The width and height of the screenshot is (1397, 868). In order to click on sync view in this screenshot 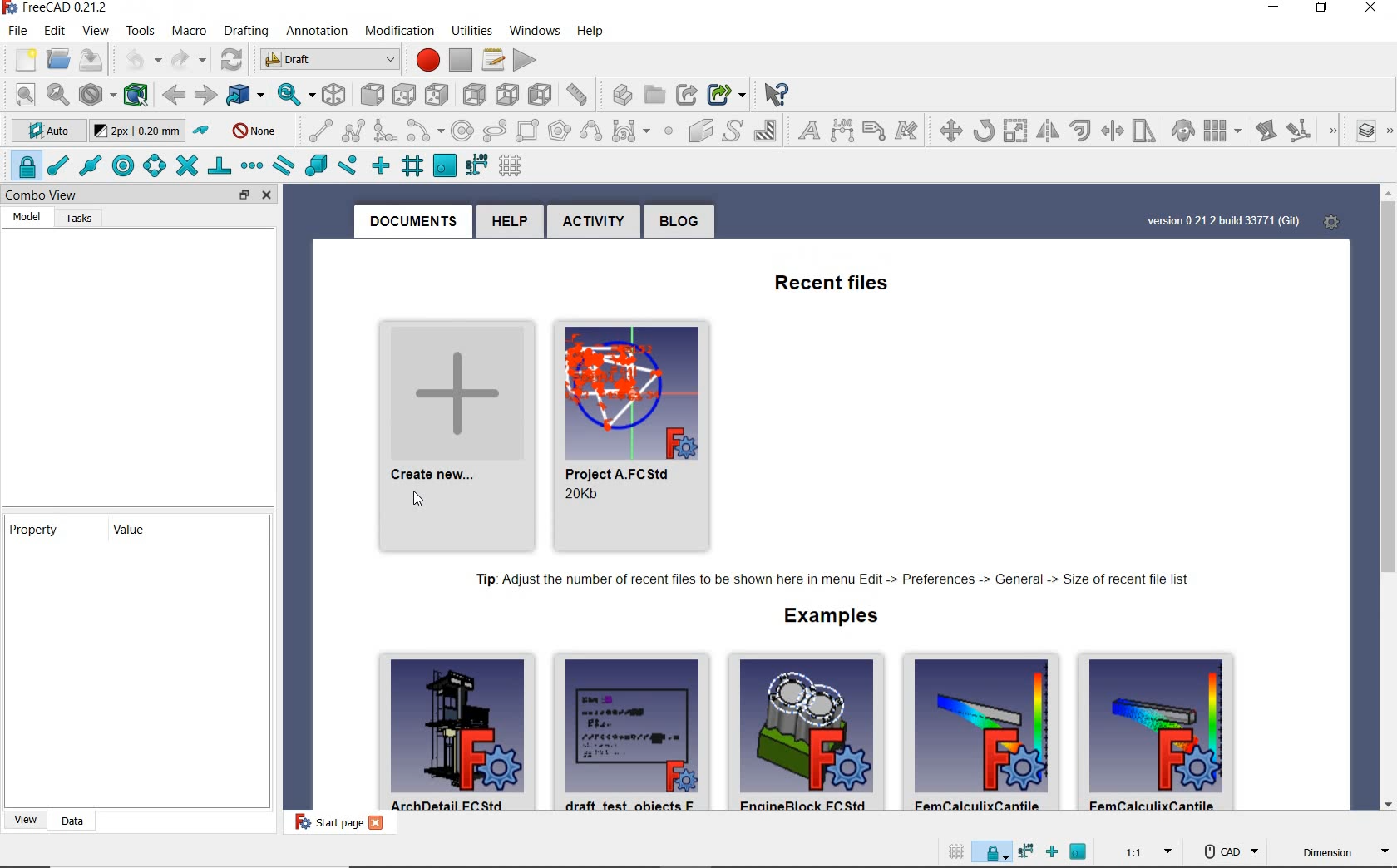, I will do `click(282, 92)`.